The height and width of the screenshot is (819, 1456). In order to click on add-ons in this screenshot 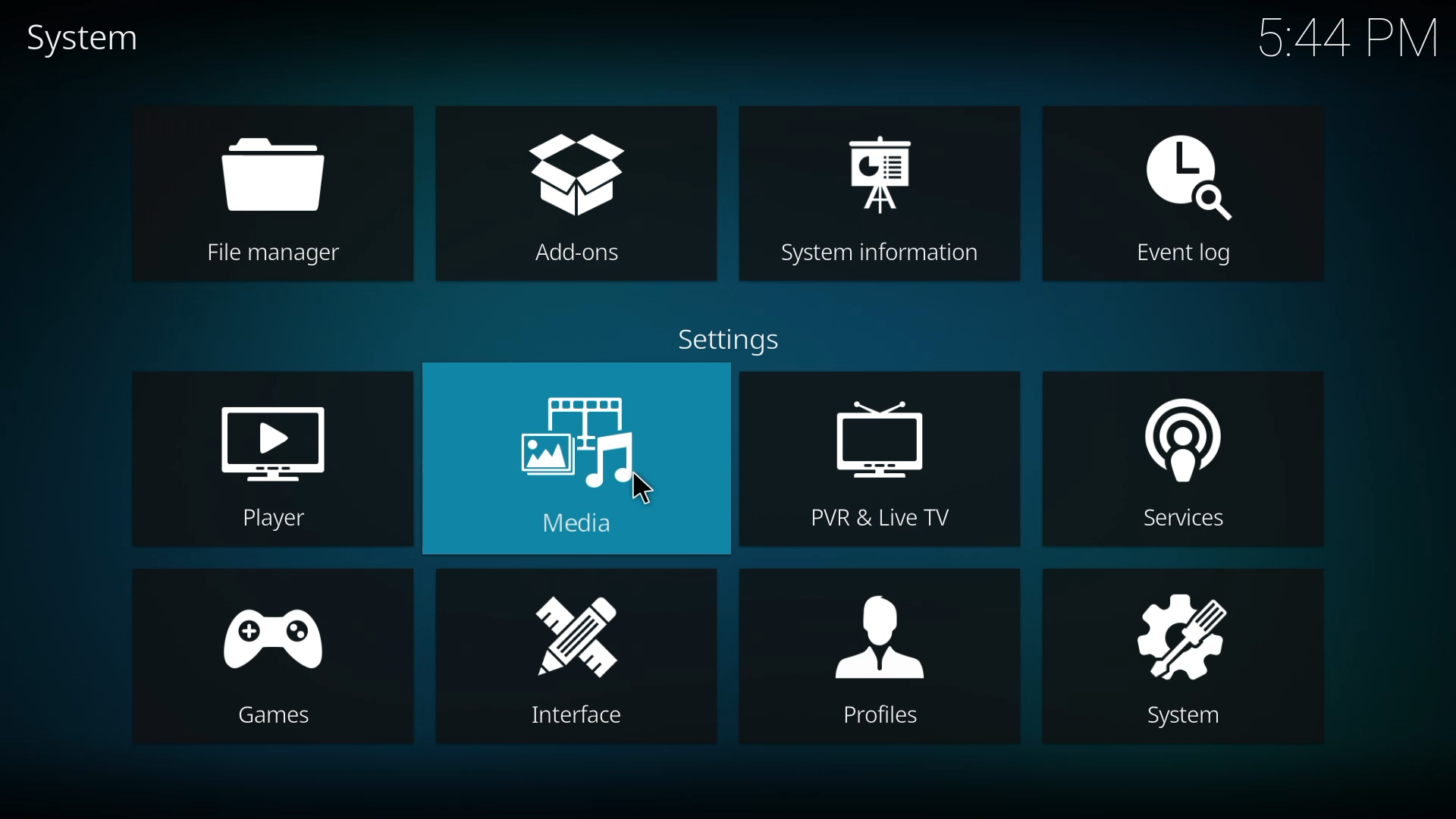, I will do `click(578, 174)`.